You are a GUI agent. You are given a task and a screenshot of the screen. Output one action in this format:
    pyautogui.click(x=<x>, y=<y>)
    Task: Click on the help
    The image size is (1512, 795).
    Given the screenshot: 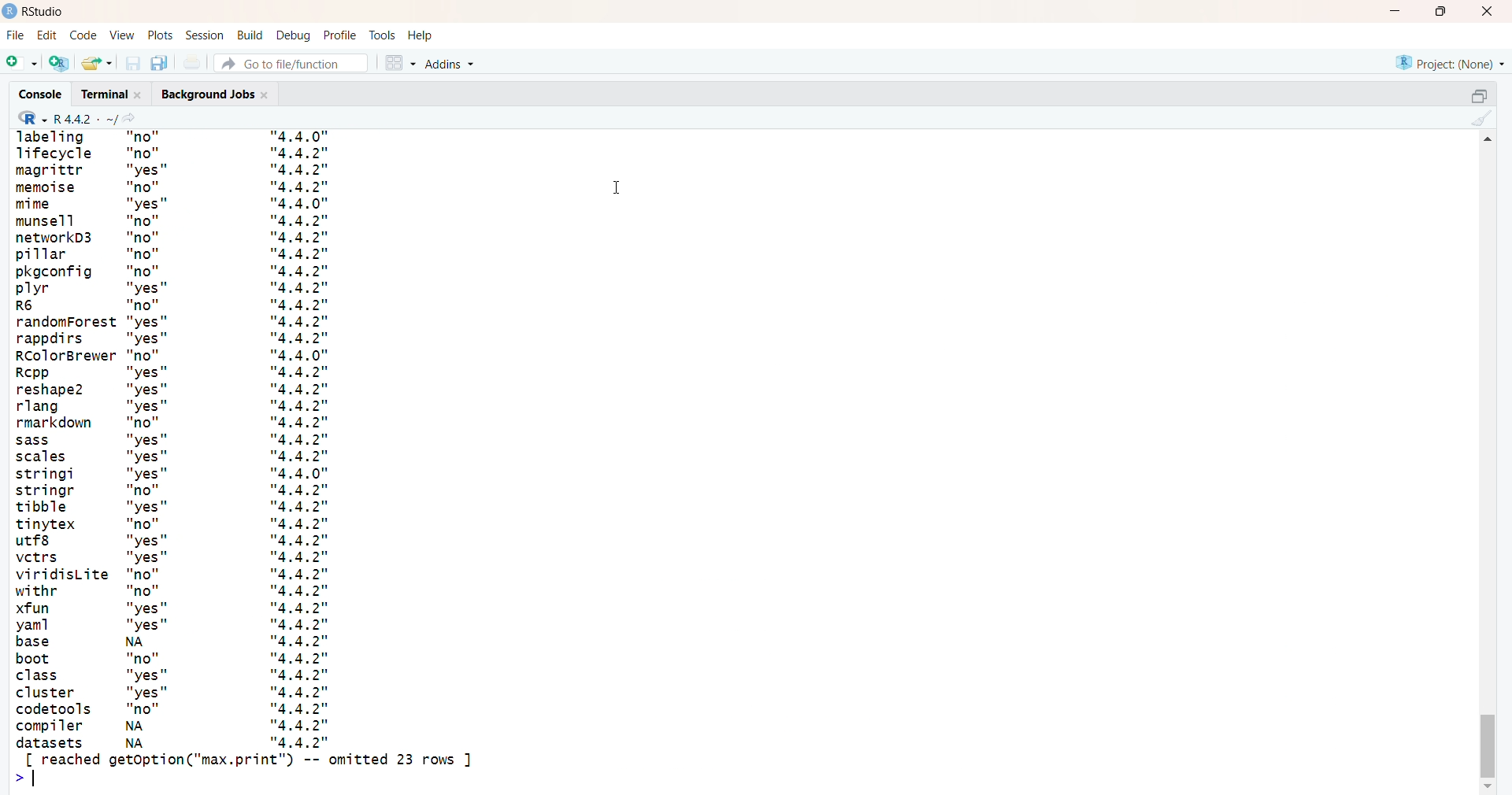 What is the action you would take?
    pyautogui.click(x=421, y=35)
    